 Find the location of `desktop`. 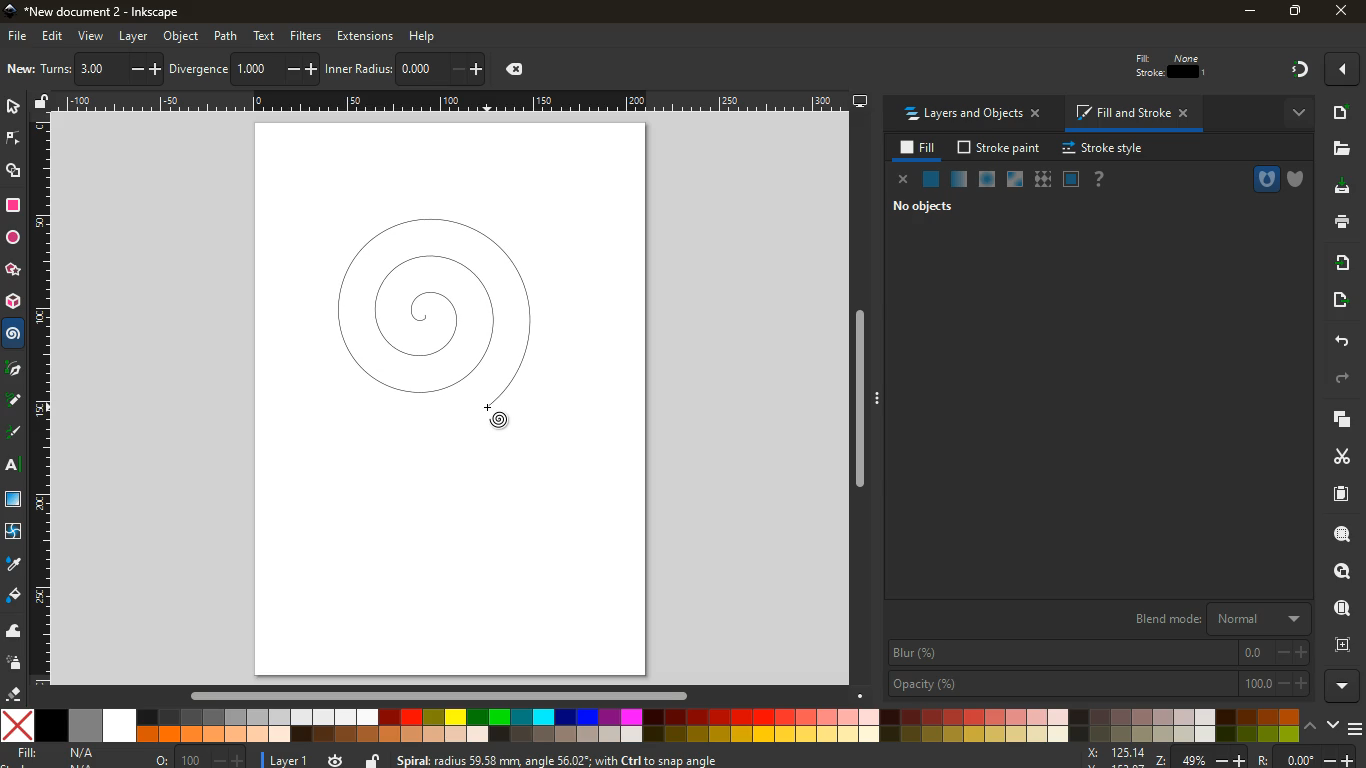

desktop is located at coordinates (860, 103).